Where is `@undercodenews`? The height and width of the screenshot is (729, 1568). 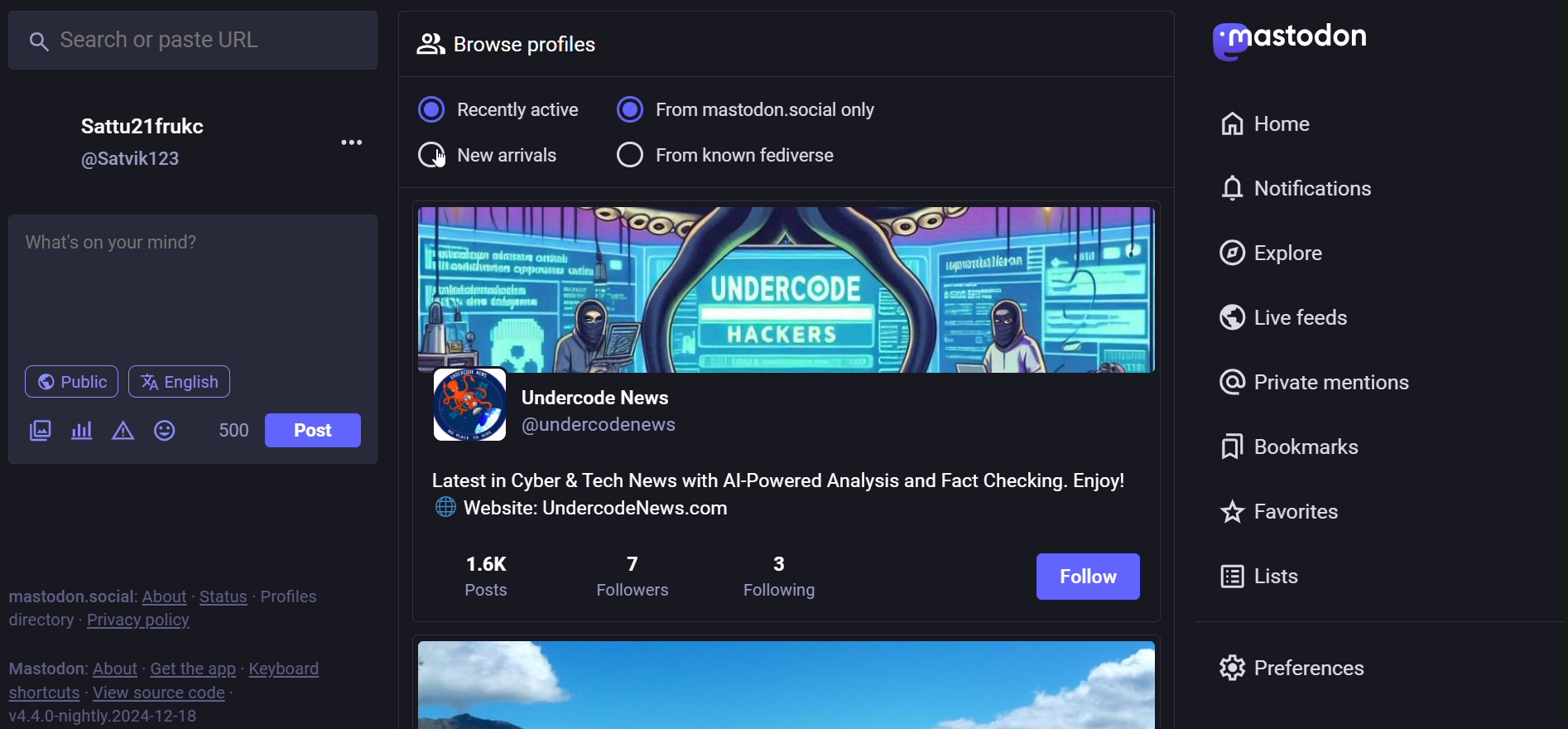 @undercodenews is located at coordinates (608, 431).